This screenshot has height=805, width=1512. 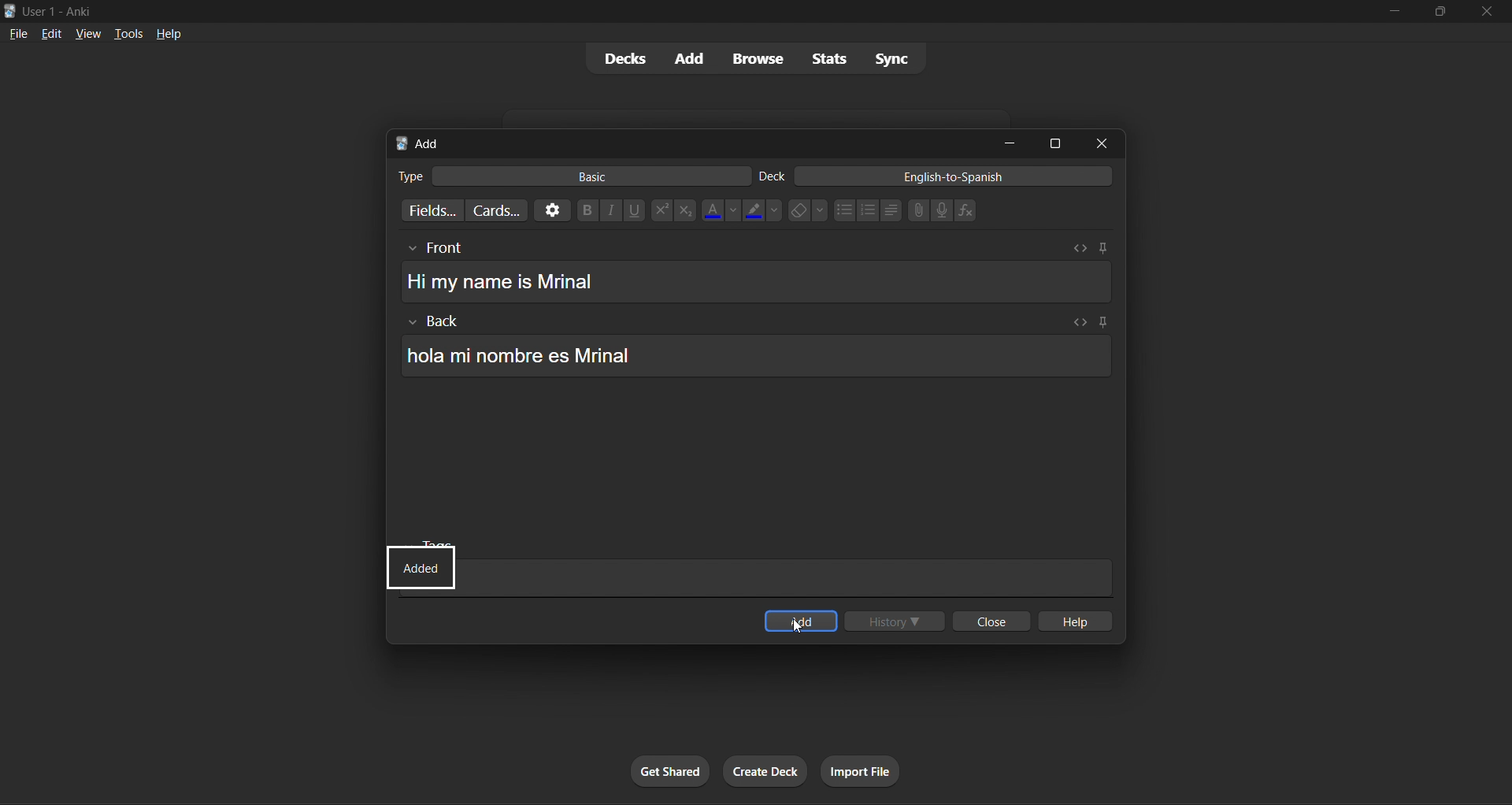 I want to click on file, so click(x=17, y=32).